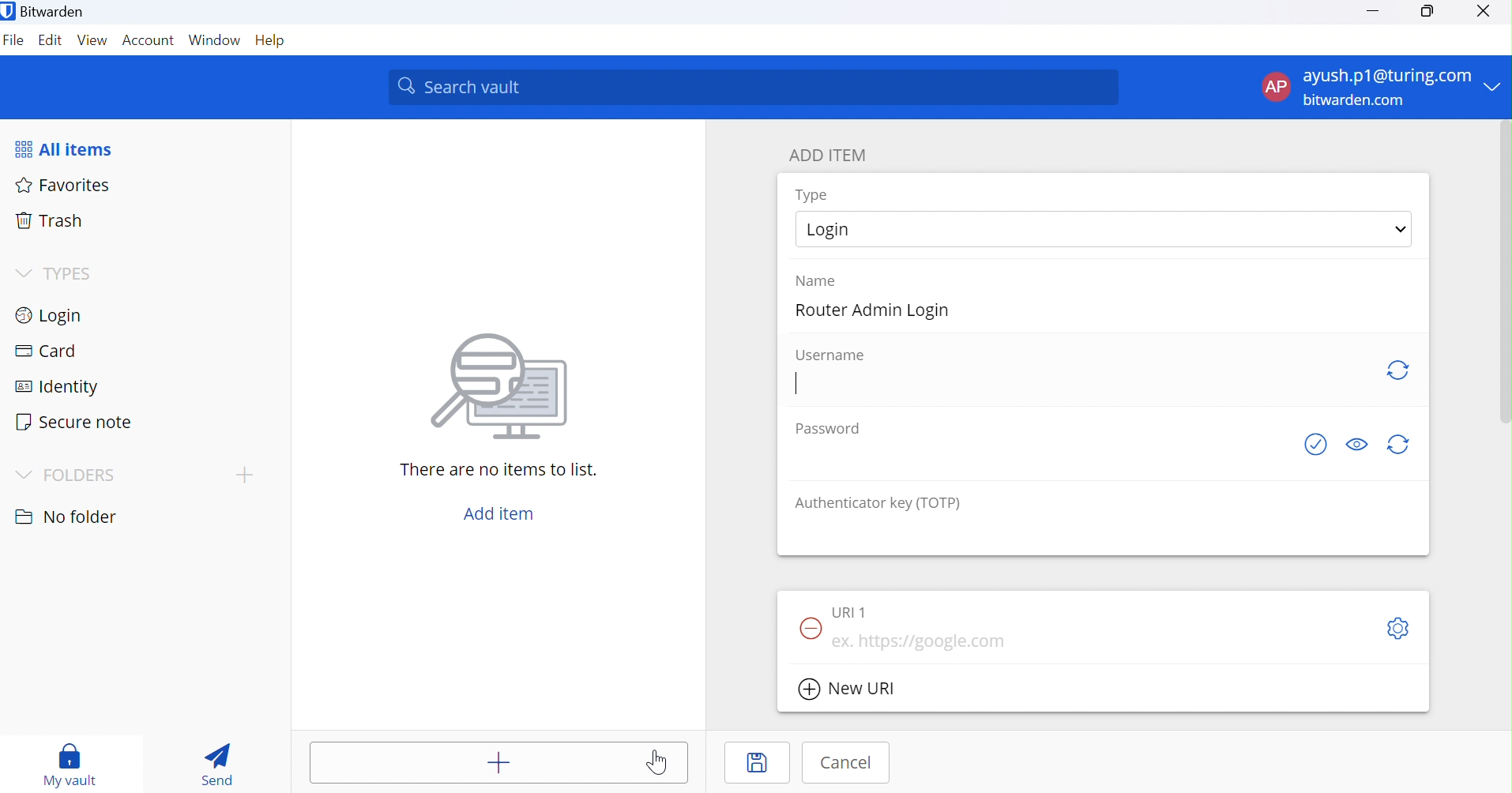  Describe the element at coordinates (825, 280) in the screenshot. I see `Name` at that location.